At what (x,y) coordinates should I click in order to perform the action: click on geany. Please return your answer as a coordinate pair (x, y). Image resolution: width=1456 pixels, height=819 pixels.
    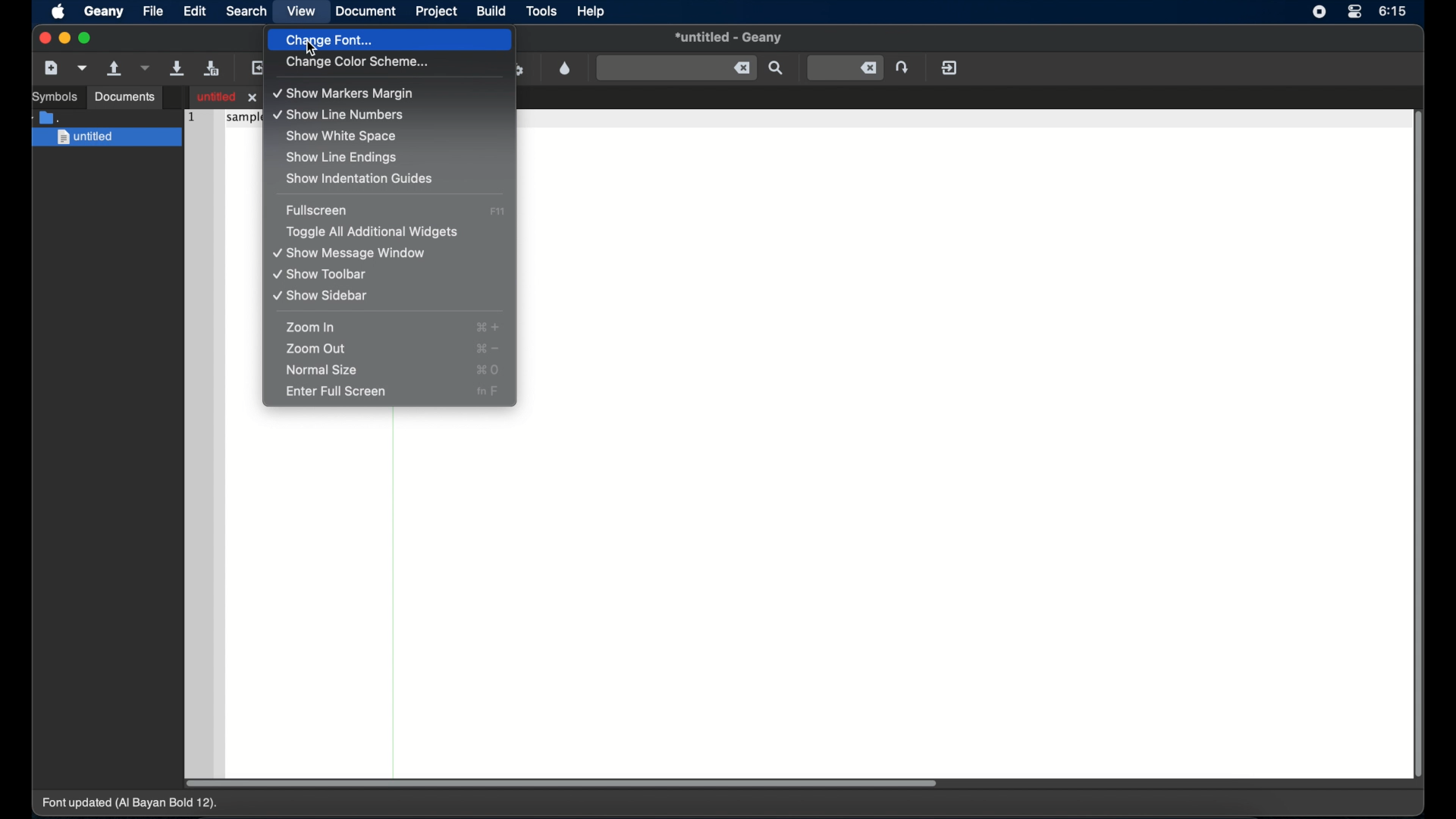
    Looking at the image, I should click on (104, 12).